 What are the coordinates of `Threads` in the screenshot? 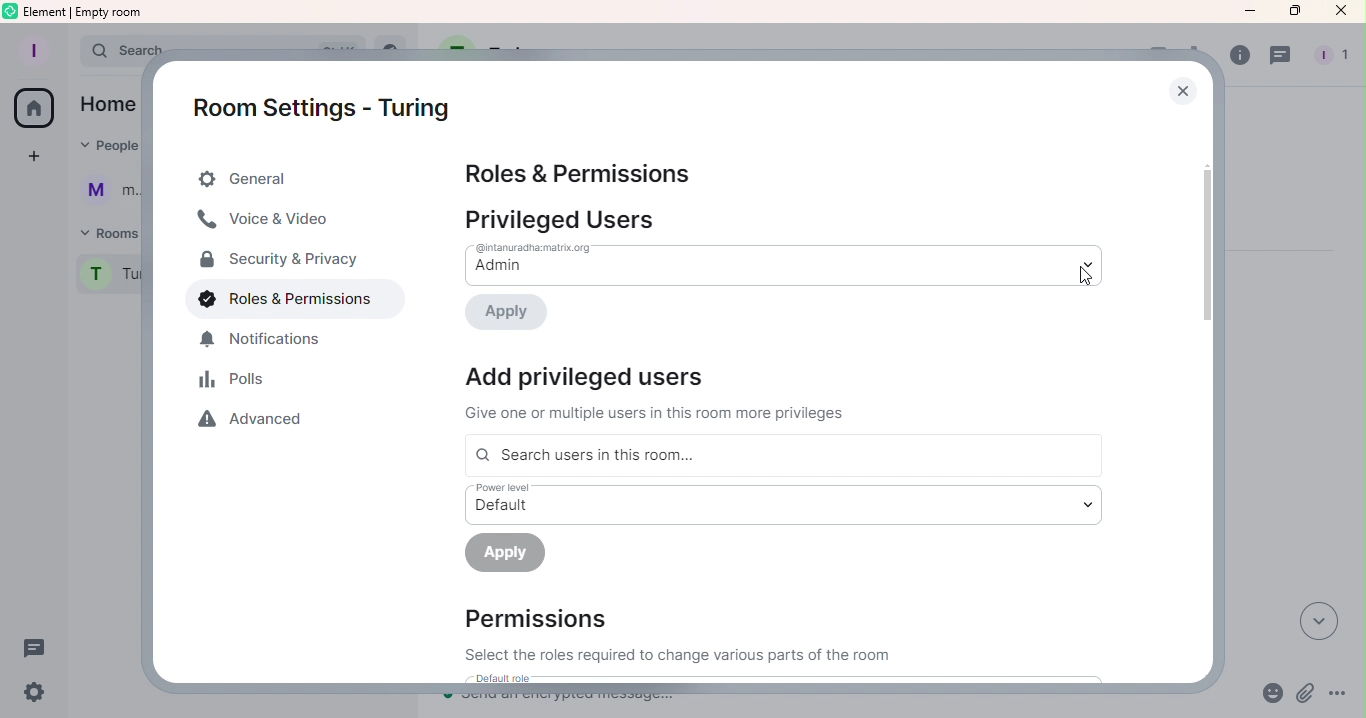 It's located at (1281, 59).